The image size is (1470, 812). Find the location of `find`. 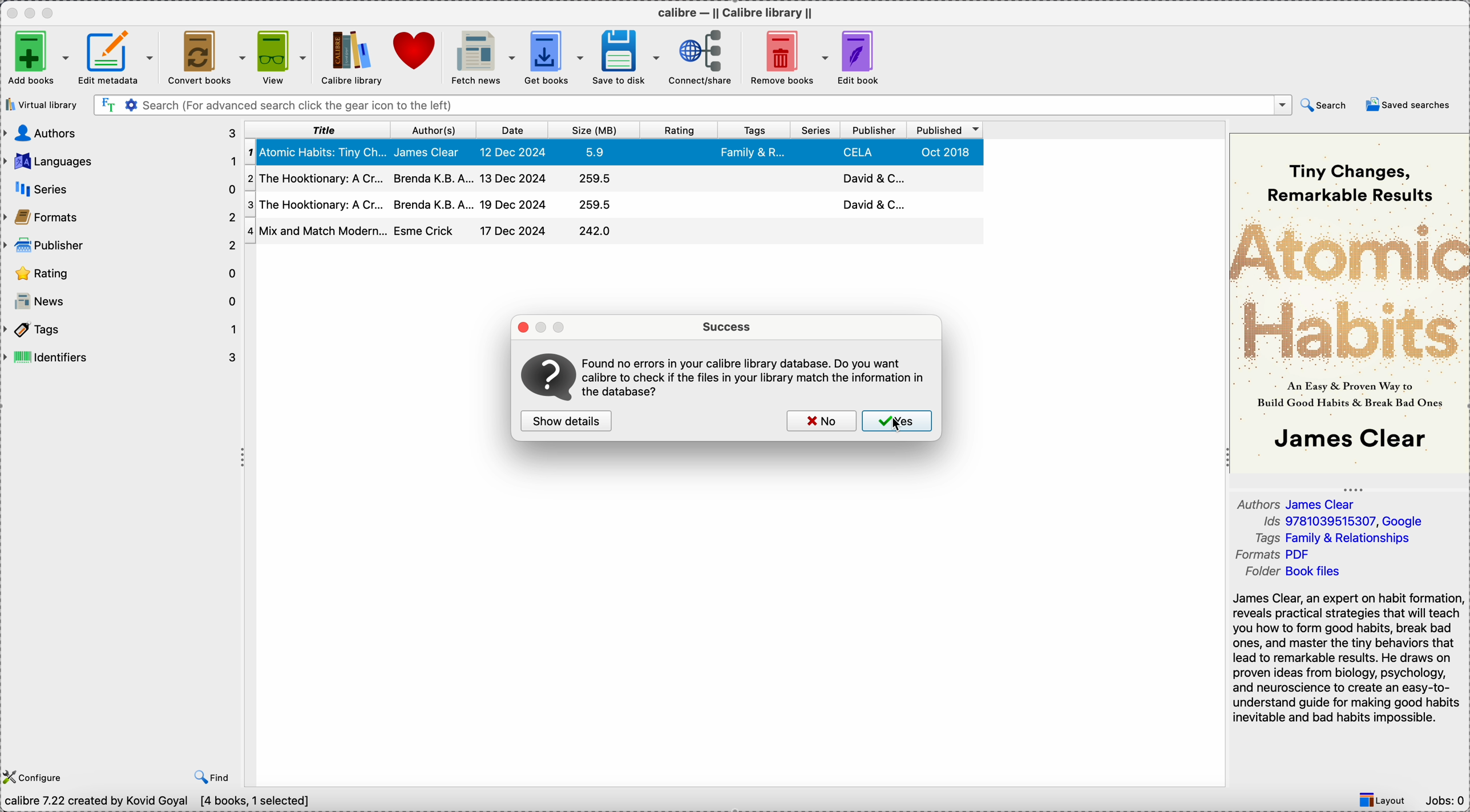

find is located at coordinates (208, 778).